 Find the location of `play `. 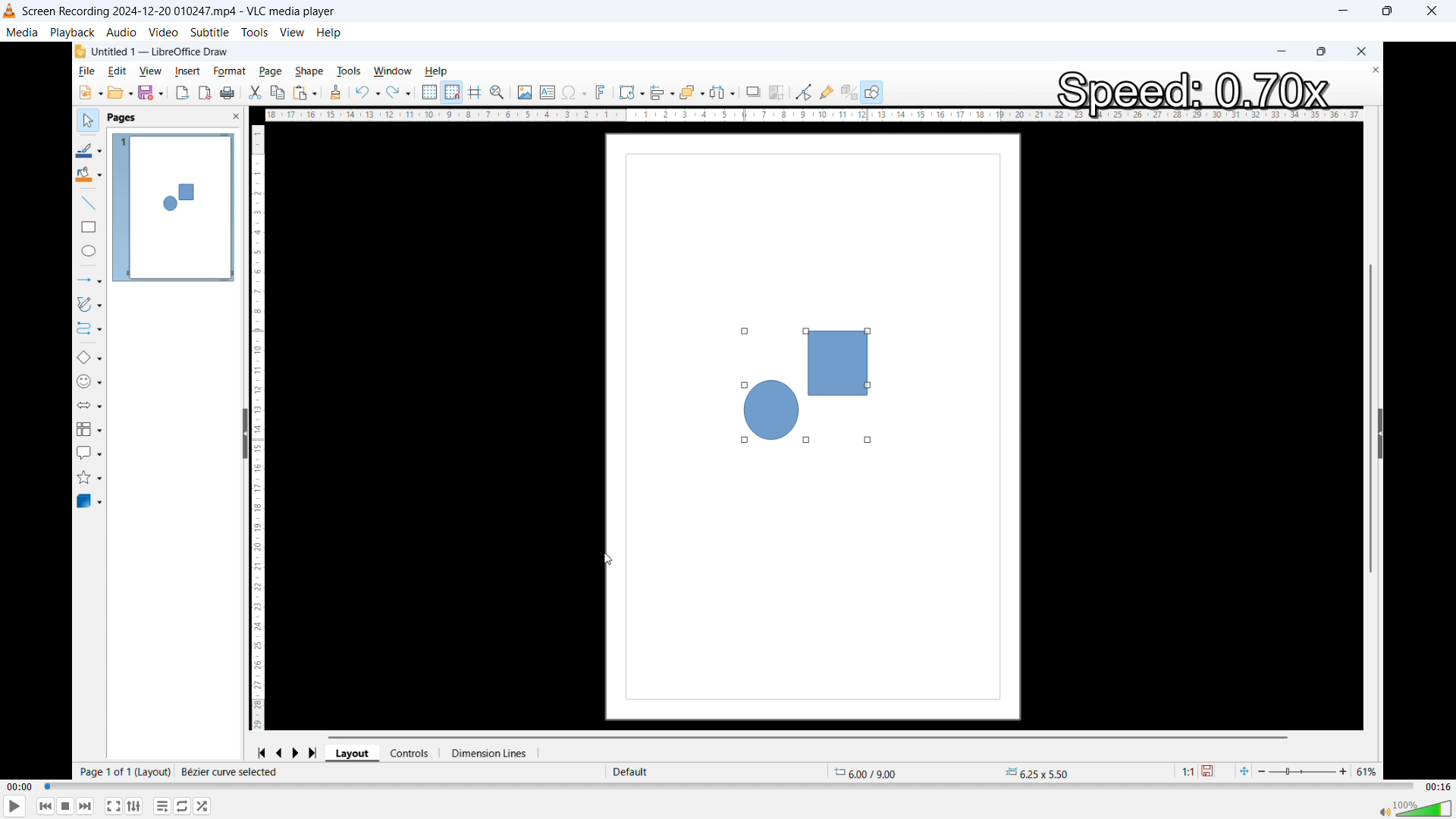

play  is located at coordinates (16, 805).